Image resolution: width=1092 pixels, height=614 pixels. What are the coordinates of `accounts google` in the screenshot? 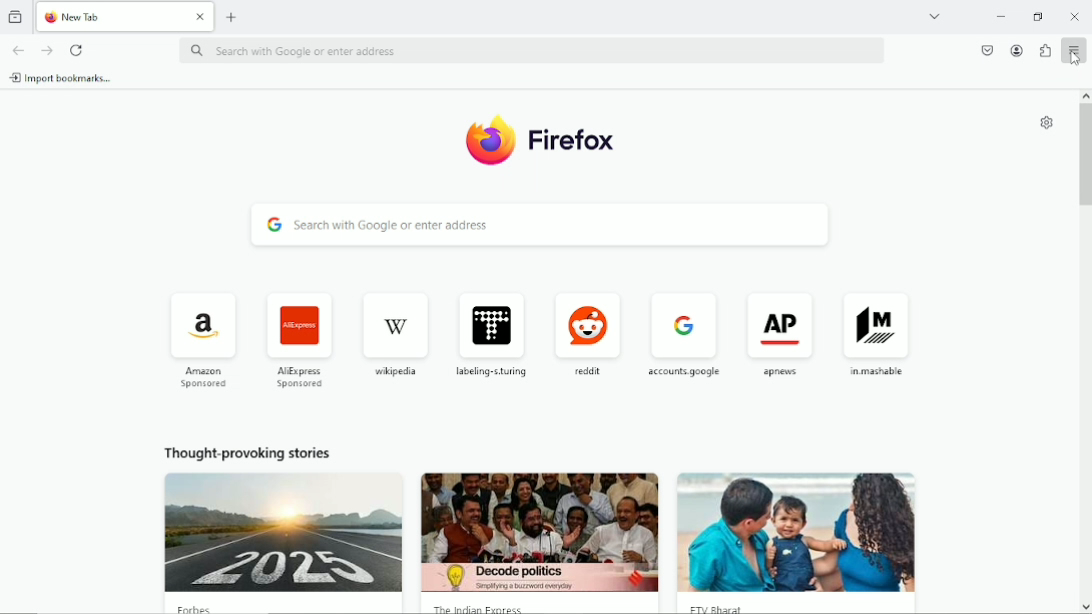 It's located at (686, 332).